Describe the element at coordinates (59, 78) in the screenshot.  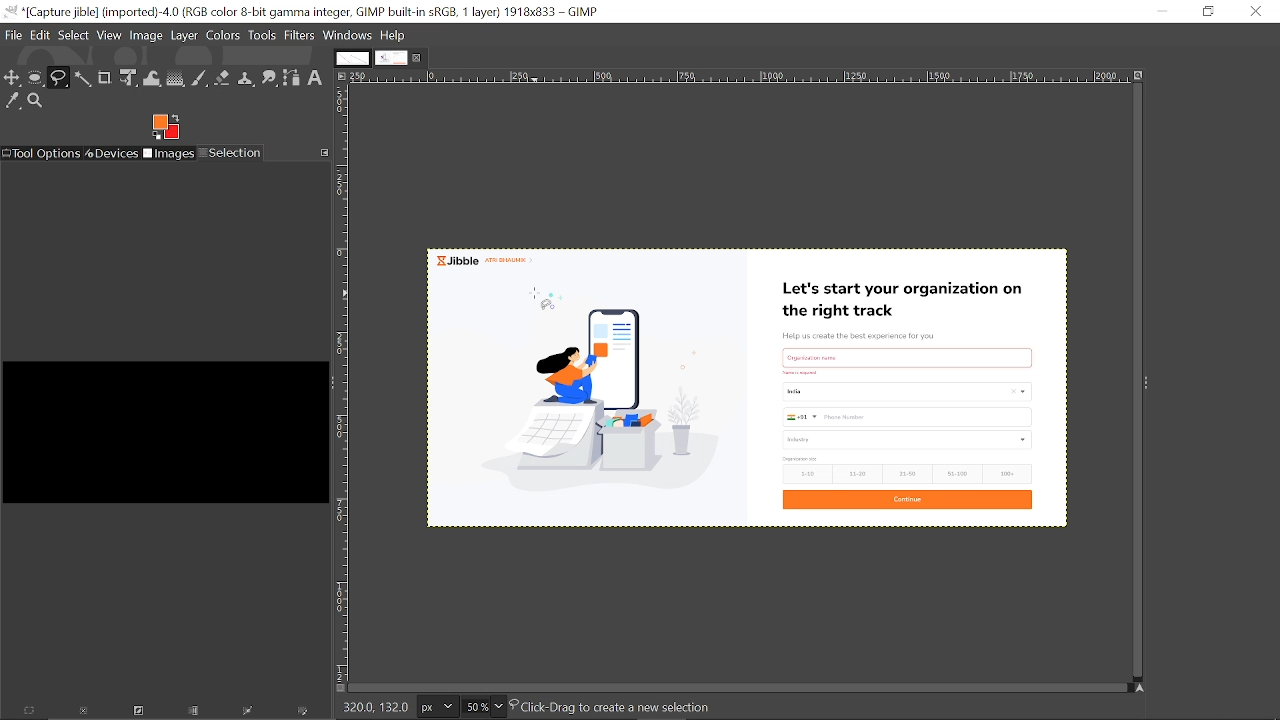
I see `Free select tool` at that location.